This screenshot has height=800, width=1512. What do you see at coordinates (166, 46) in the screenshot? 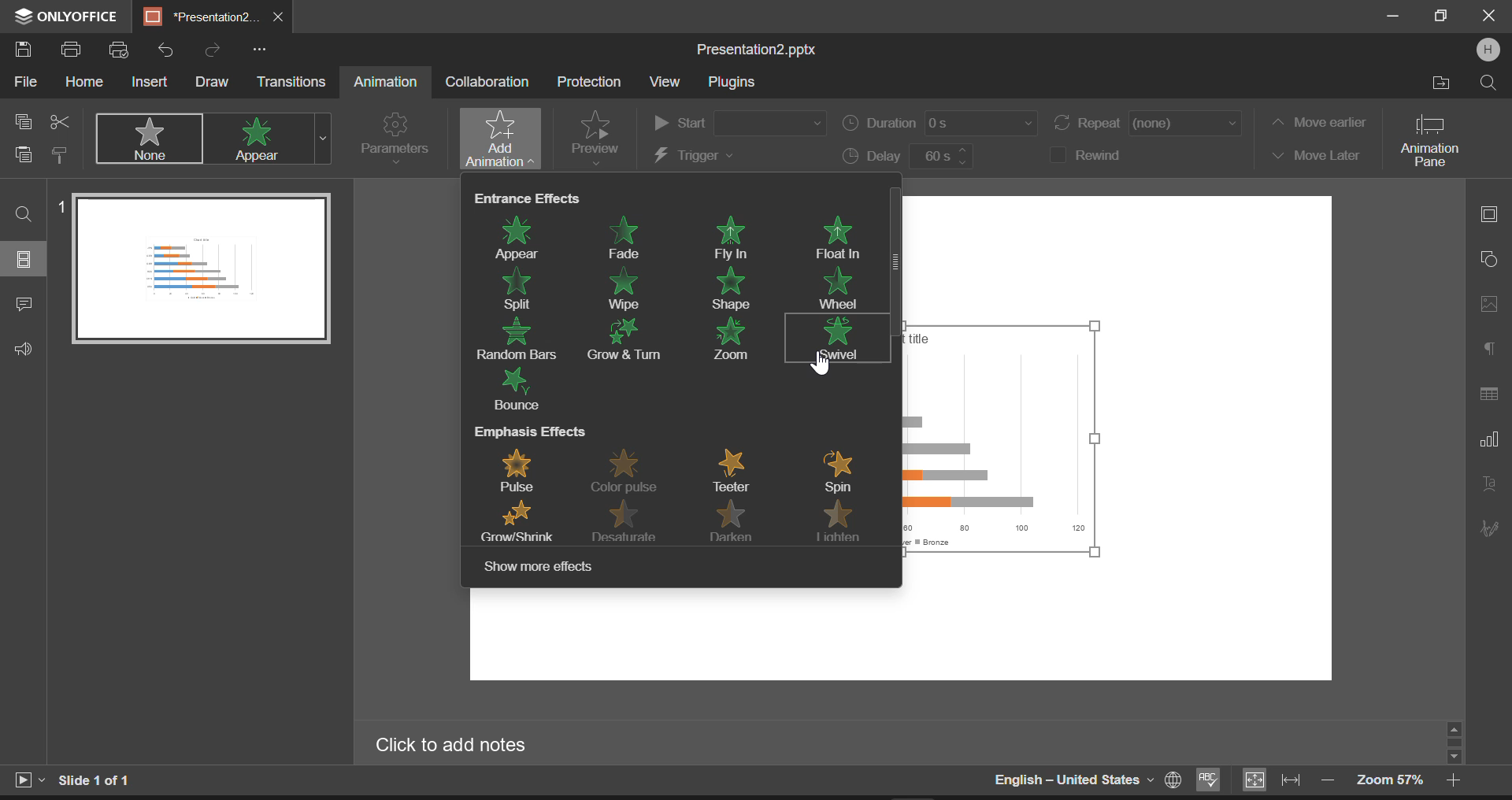
I see `Undo` at bounding box center [166, 46].